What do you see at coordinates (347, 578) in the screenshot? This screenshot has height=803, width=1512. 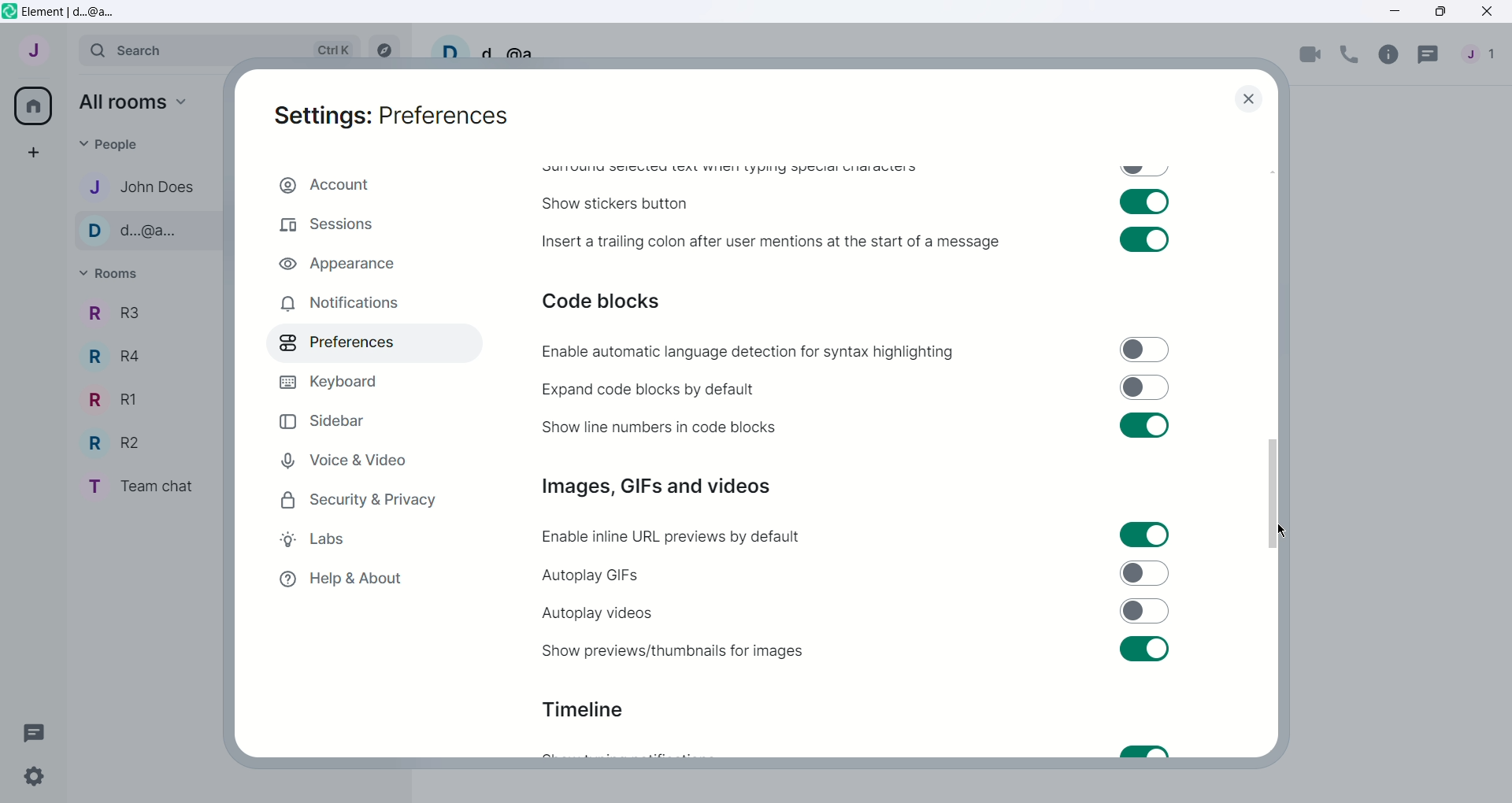 I see `Help and About` at bounding box center [347, 578].